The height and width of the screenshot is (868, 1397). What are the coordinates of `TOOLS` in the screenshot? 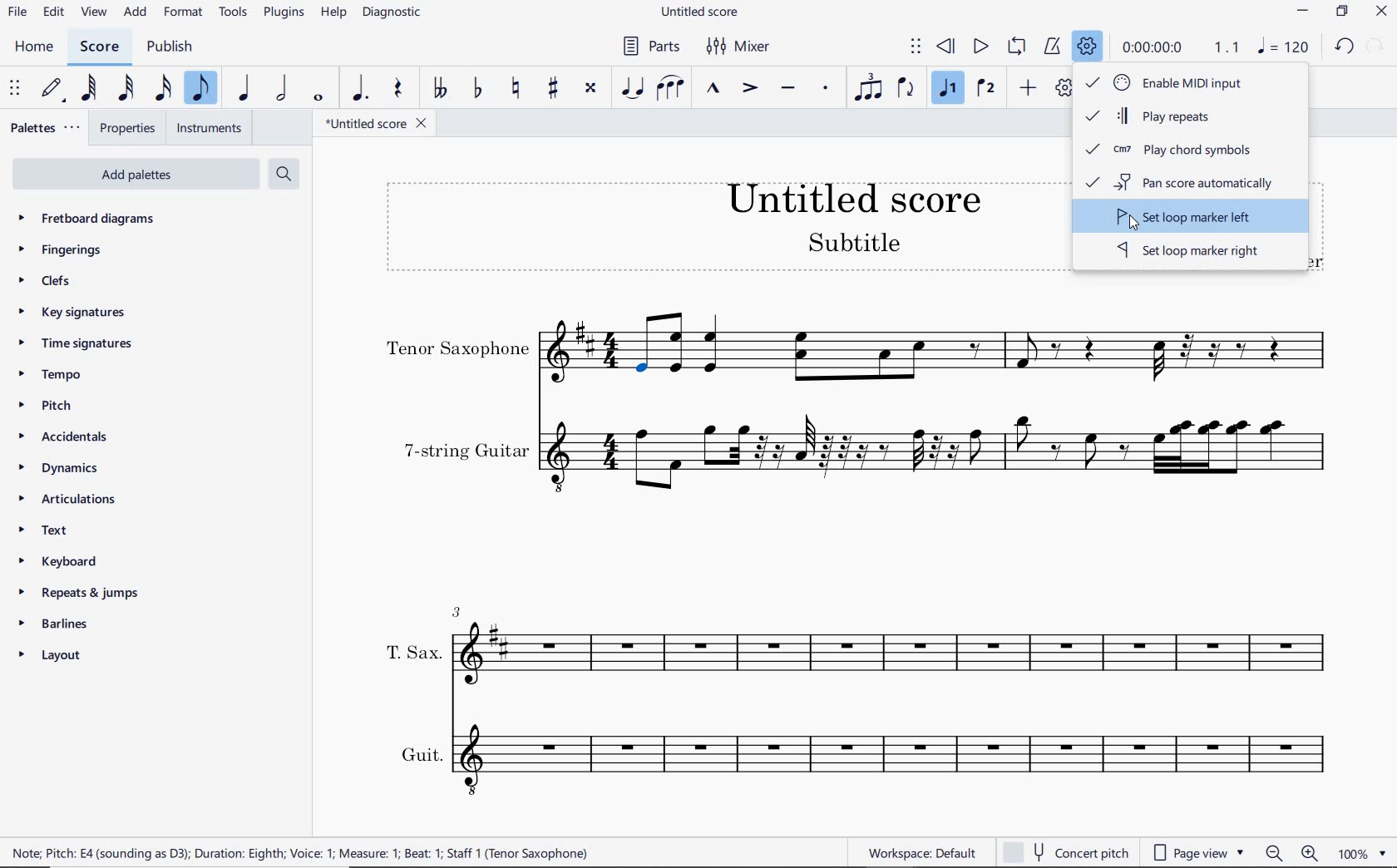 It's located at (234, 13).